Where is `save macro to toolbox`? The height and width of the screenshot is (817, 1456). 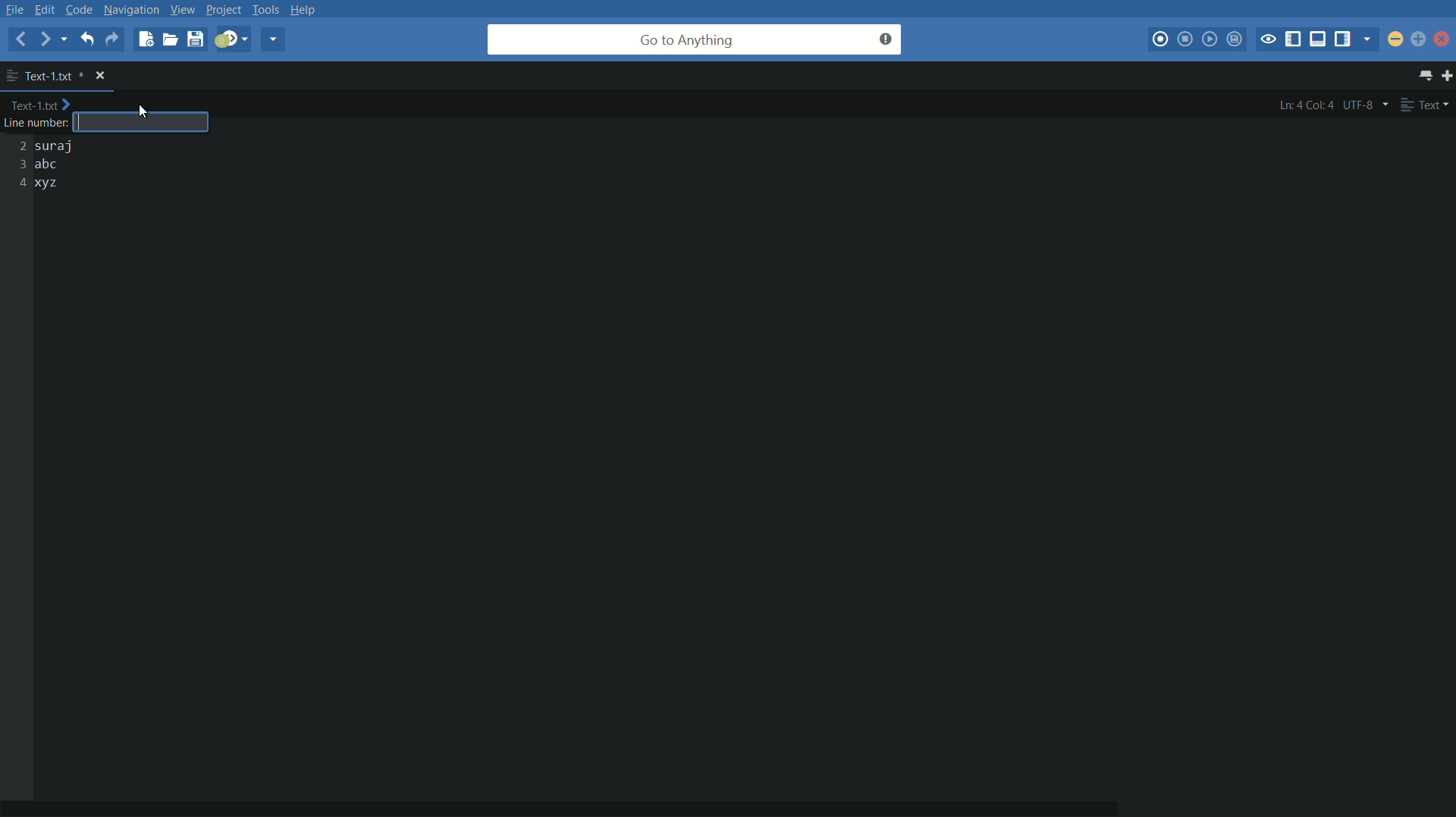 save macro to toolbox is located at coordinates (1236, 41).